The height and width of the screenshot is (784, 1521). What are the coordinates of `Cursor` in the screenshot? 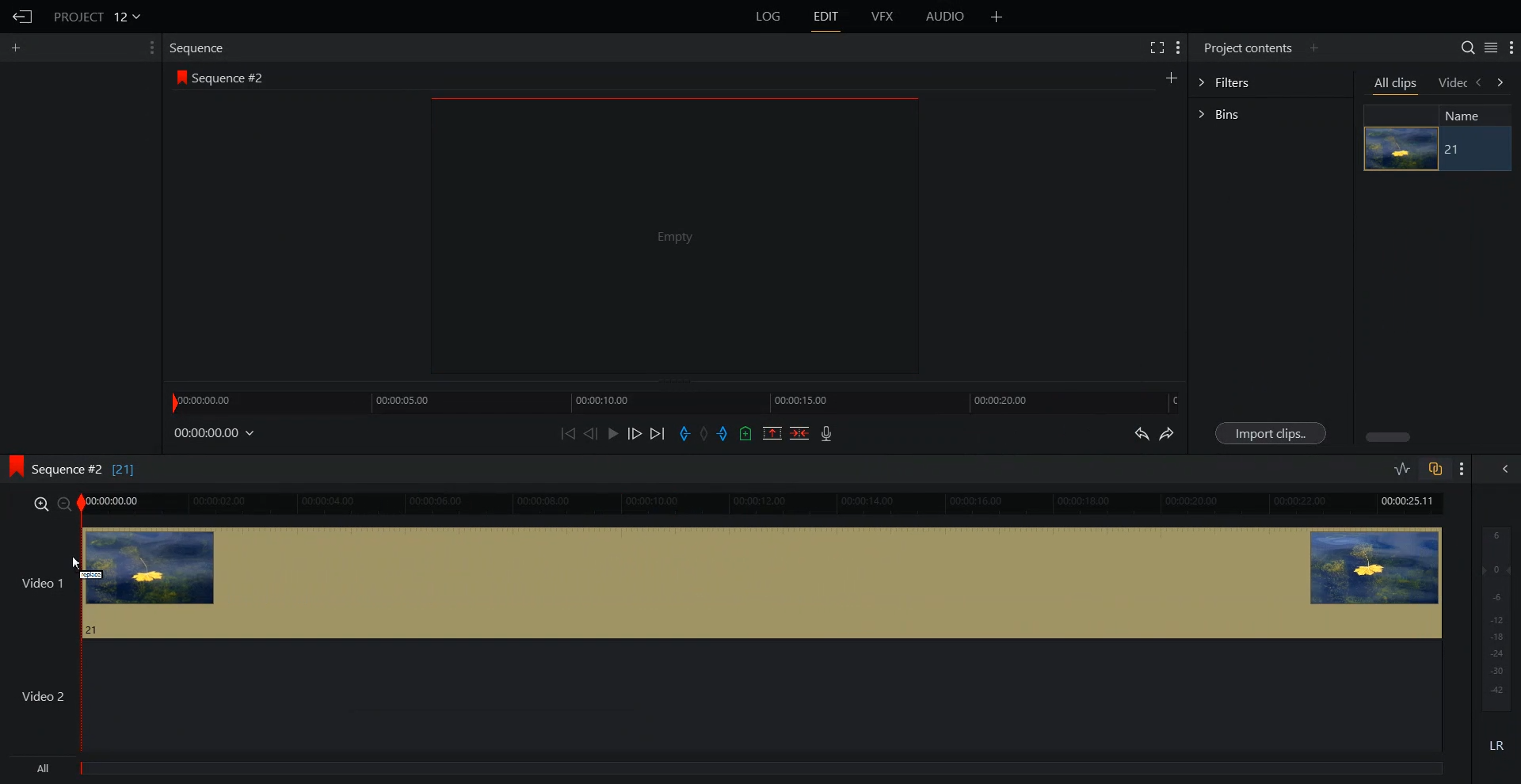 It's located at (78, 564).